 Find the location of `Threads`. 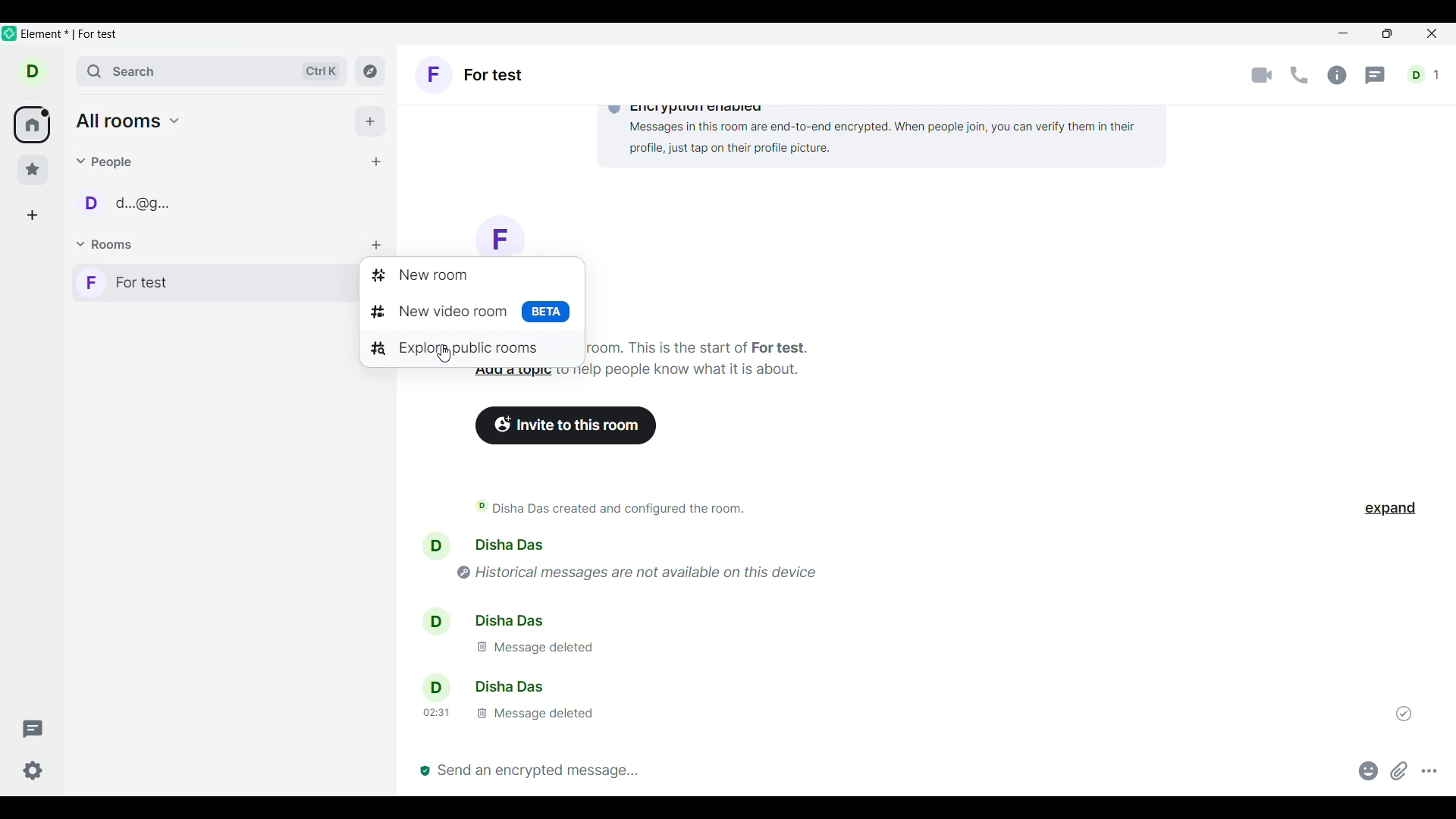

Threads is located at coordinates (33, 729).